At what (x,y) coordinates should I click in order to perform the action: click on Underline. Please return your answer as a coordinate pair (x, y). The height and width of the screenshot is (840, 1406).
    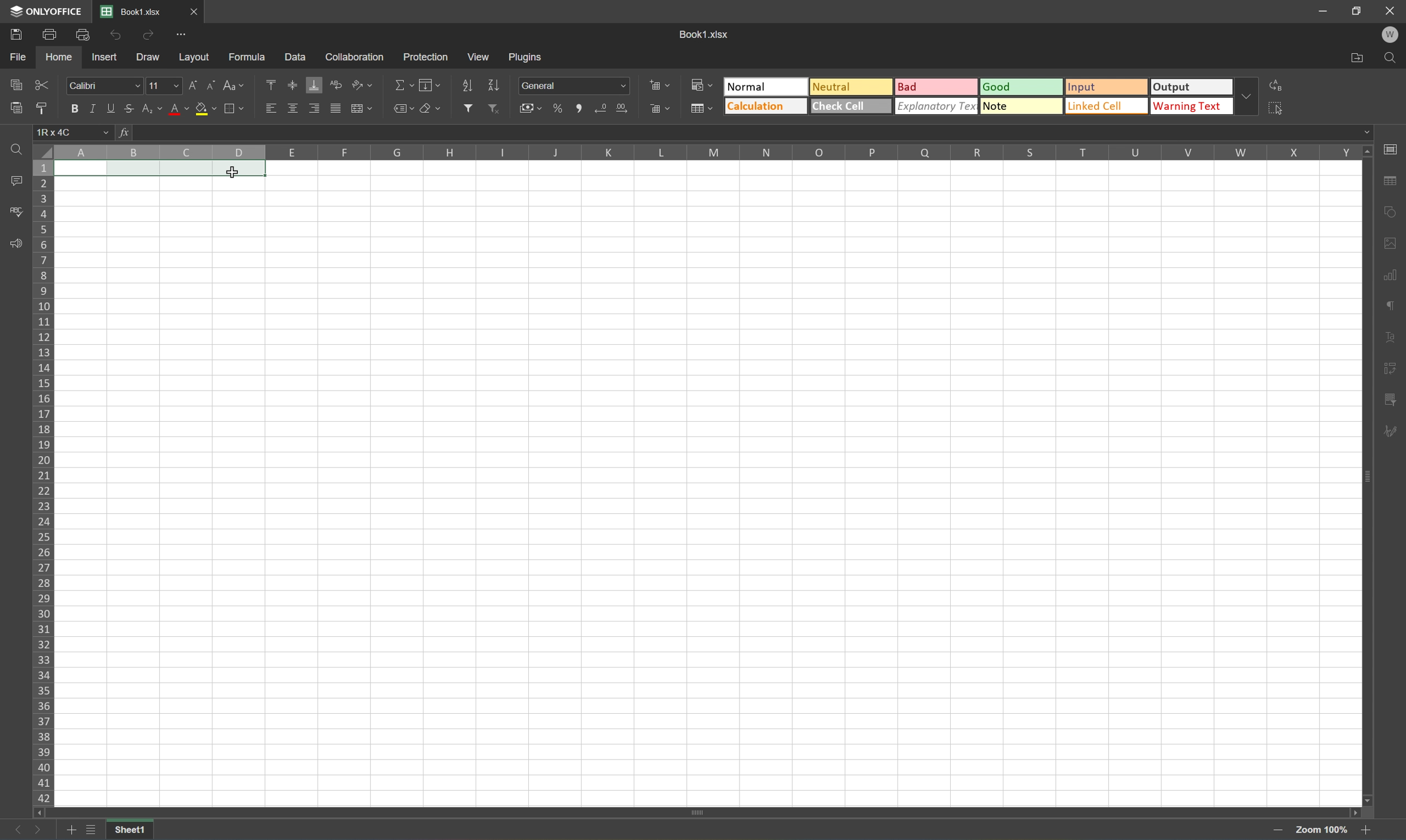
    Looking at the image, I should click on (113, 109).